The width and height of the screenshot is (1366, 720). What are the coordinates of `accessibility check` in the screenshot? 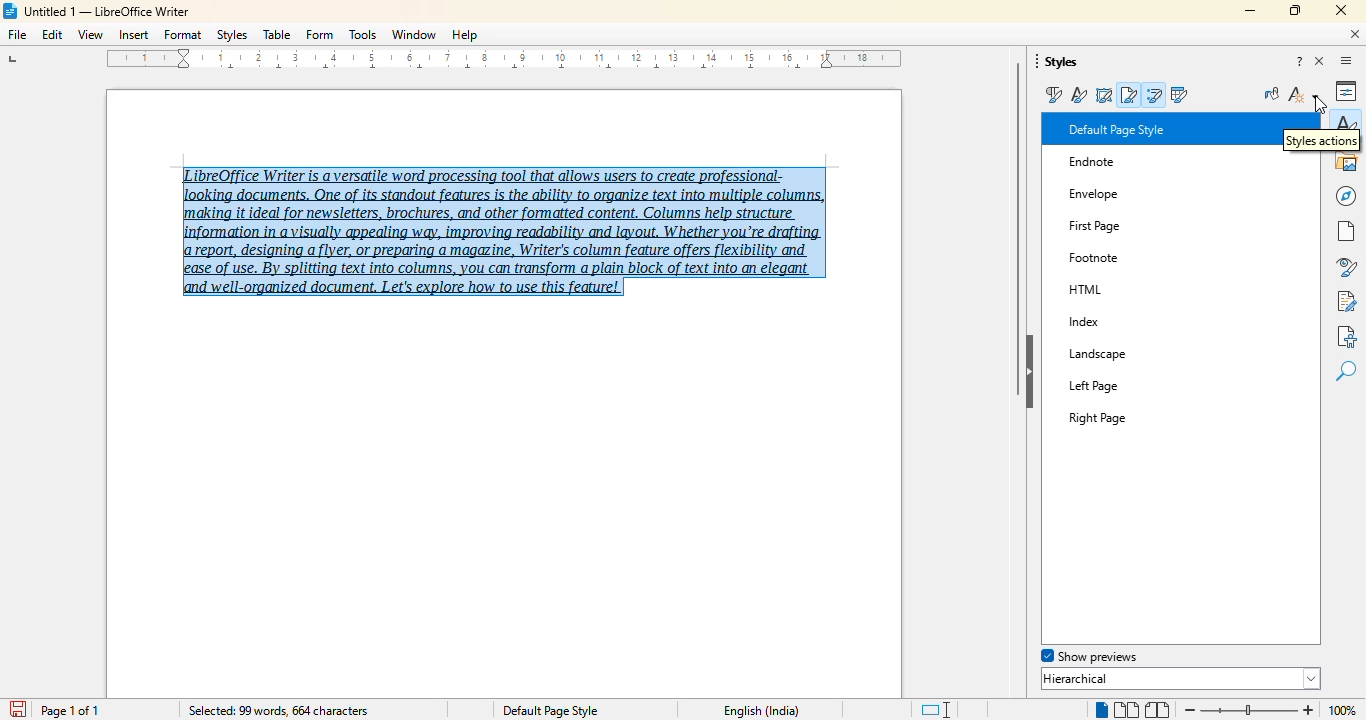 It's located at (1346, 336).